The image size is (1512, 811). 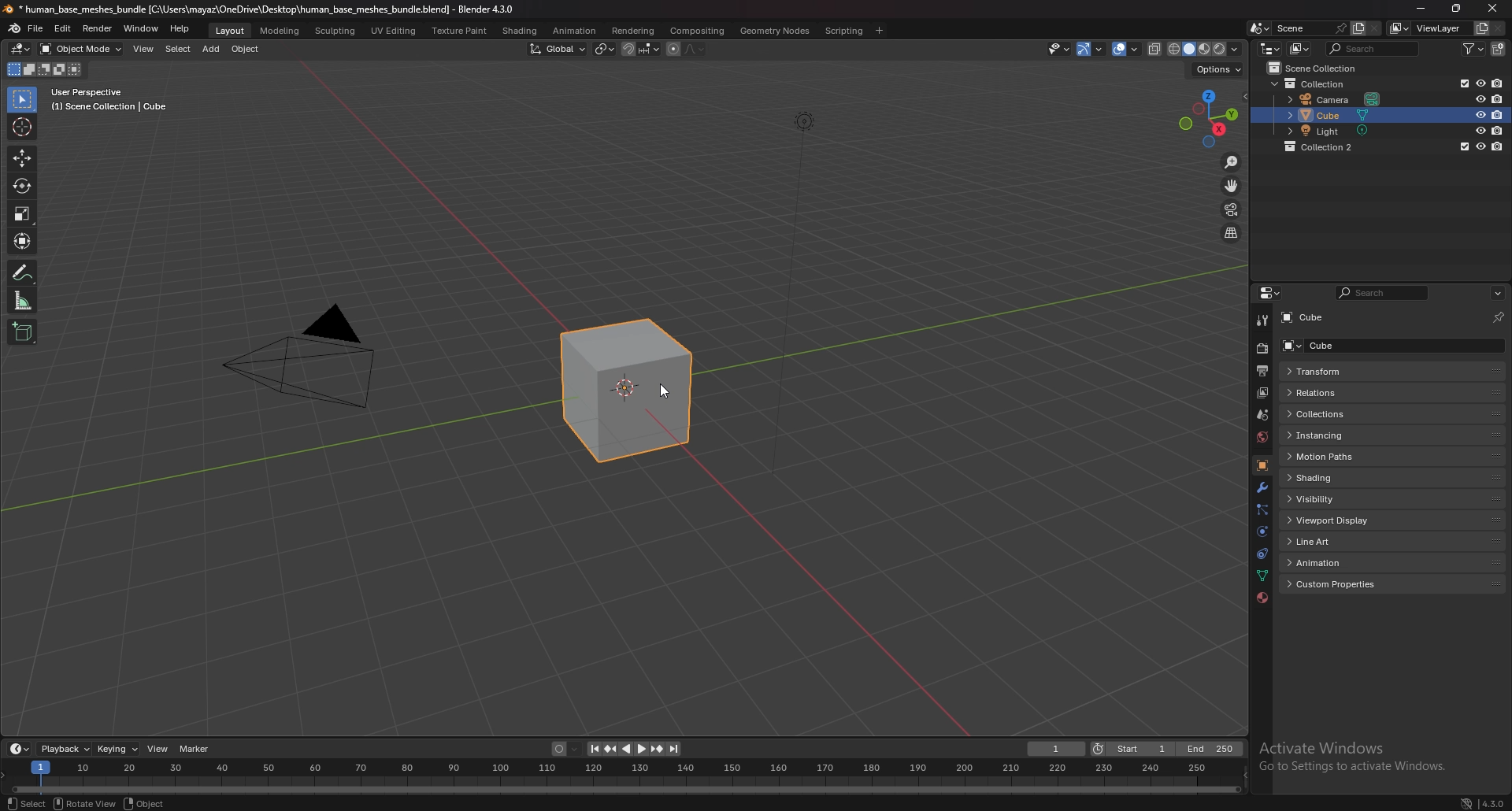 What do you see at coordinates (1339, 543) in the screenshot?
I see `line art` at bounding box center [1339, 543].